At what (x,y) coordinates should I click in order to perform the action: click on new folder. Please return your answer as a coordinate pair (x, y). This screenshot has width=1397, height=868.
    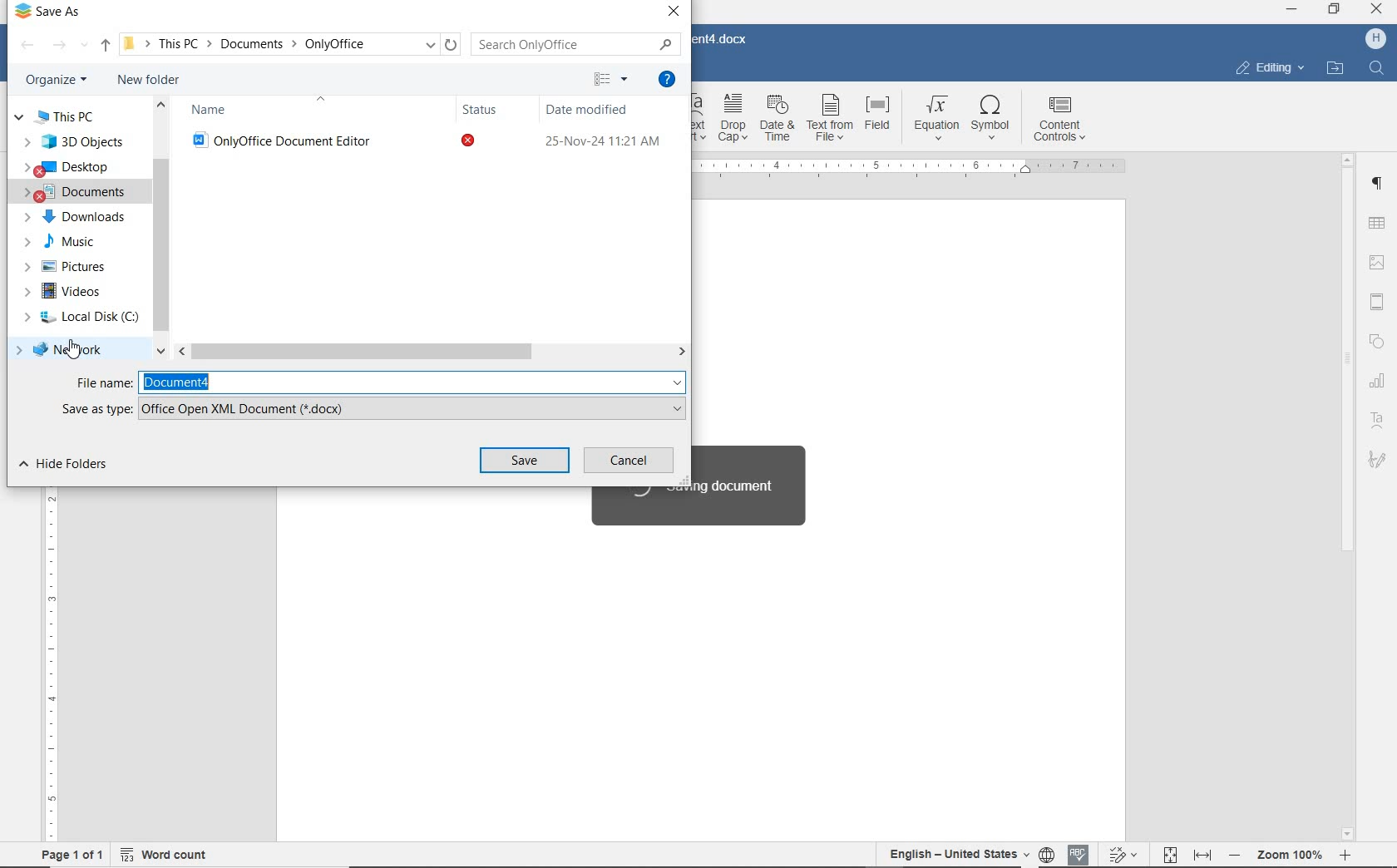
    Looking at the image, I should click on (146, 81).